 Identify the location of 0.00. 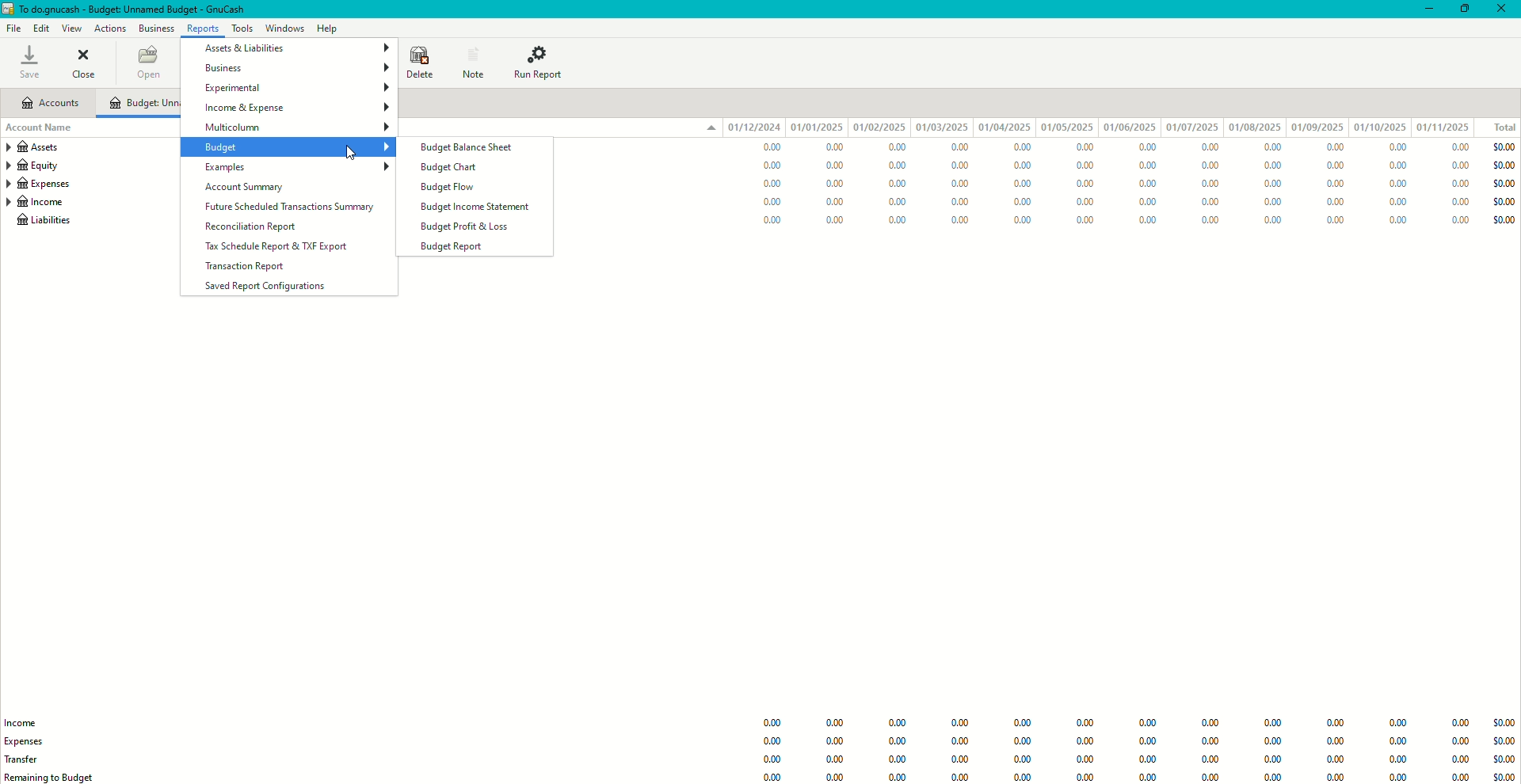
(902, 164).